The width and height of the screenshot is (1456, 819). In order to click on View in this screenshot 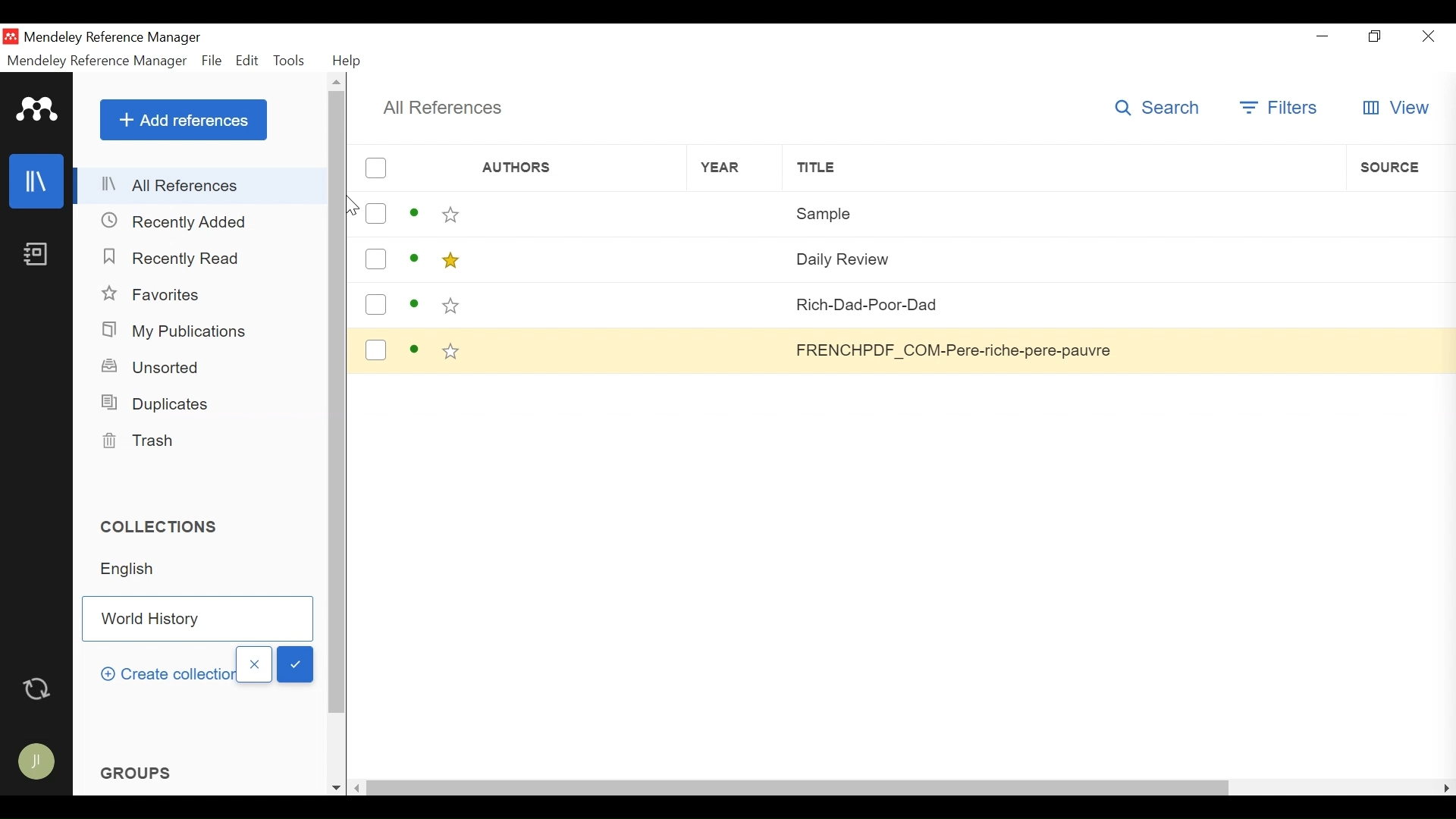, I will do `click(1395, 108)`.